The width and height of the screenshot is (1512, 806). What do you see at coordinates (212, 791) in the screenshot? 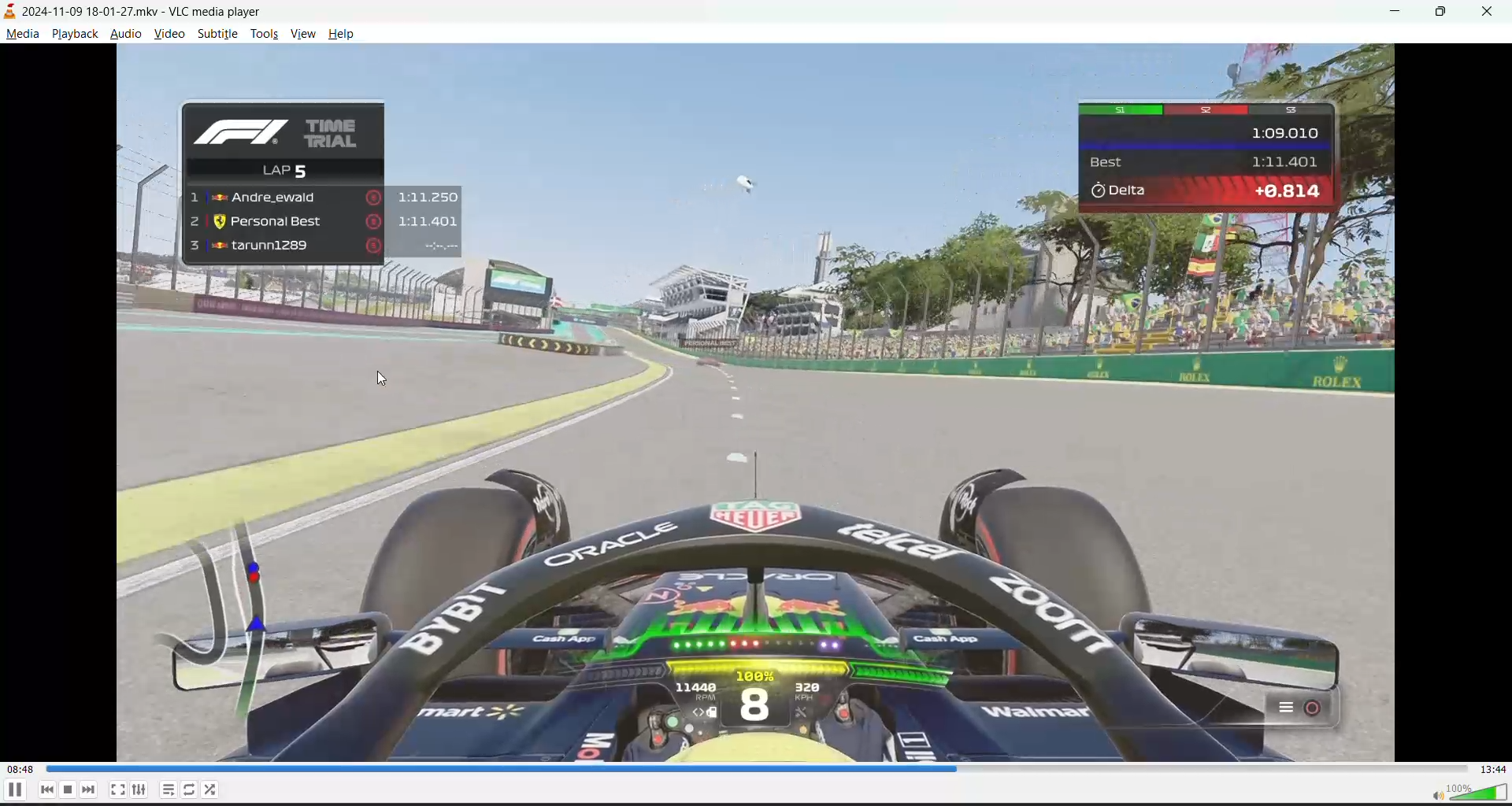
I see `random` at bounding box center [212, 791].